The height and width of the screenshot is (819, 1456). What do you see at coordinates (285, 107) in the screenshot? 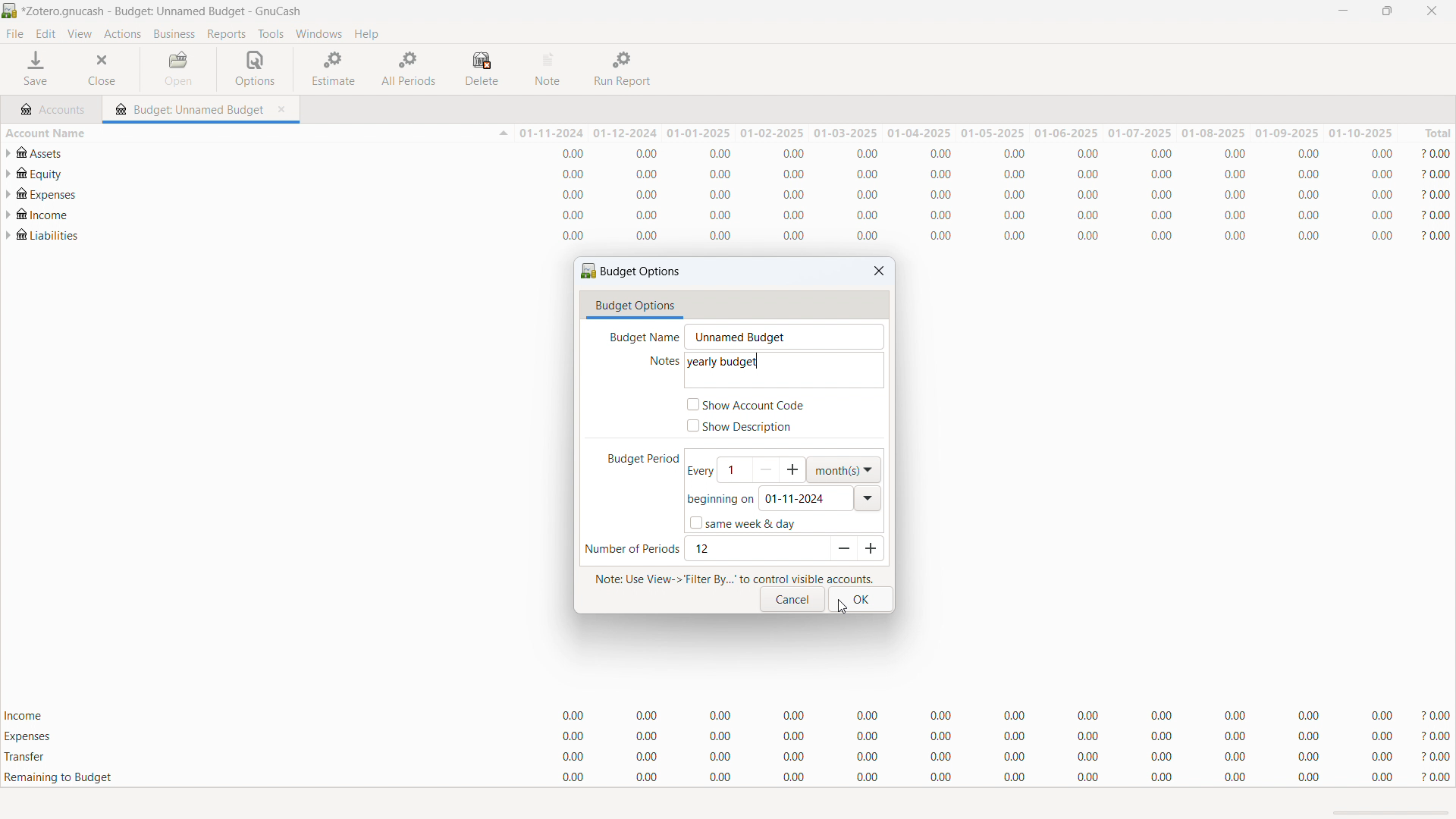
I see `close tab` at bounding box center [285, 107].